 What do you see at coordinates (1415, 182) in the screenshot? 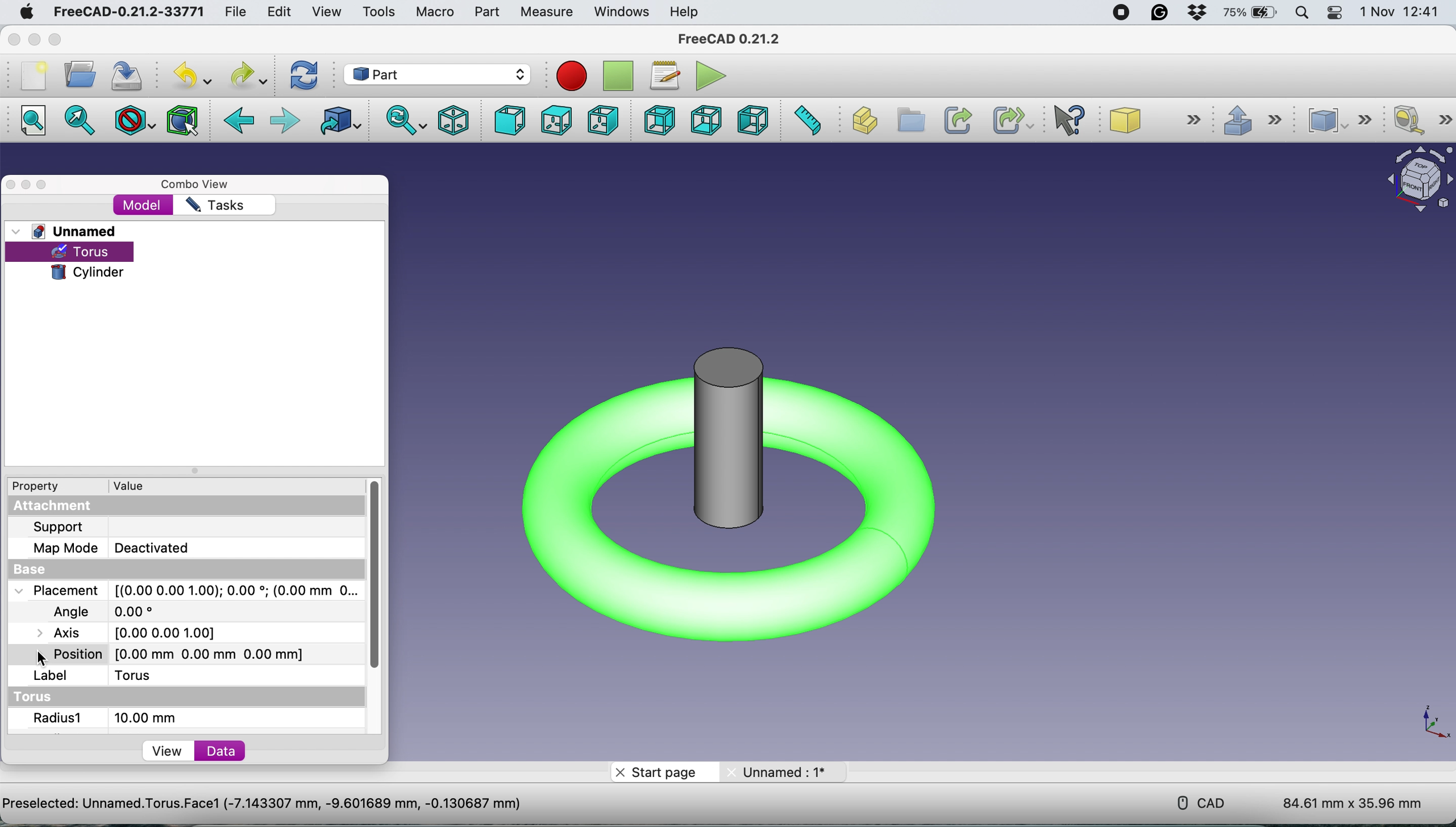
I see `object interface` at bounding box center [1415, 182].